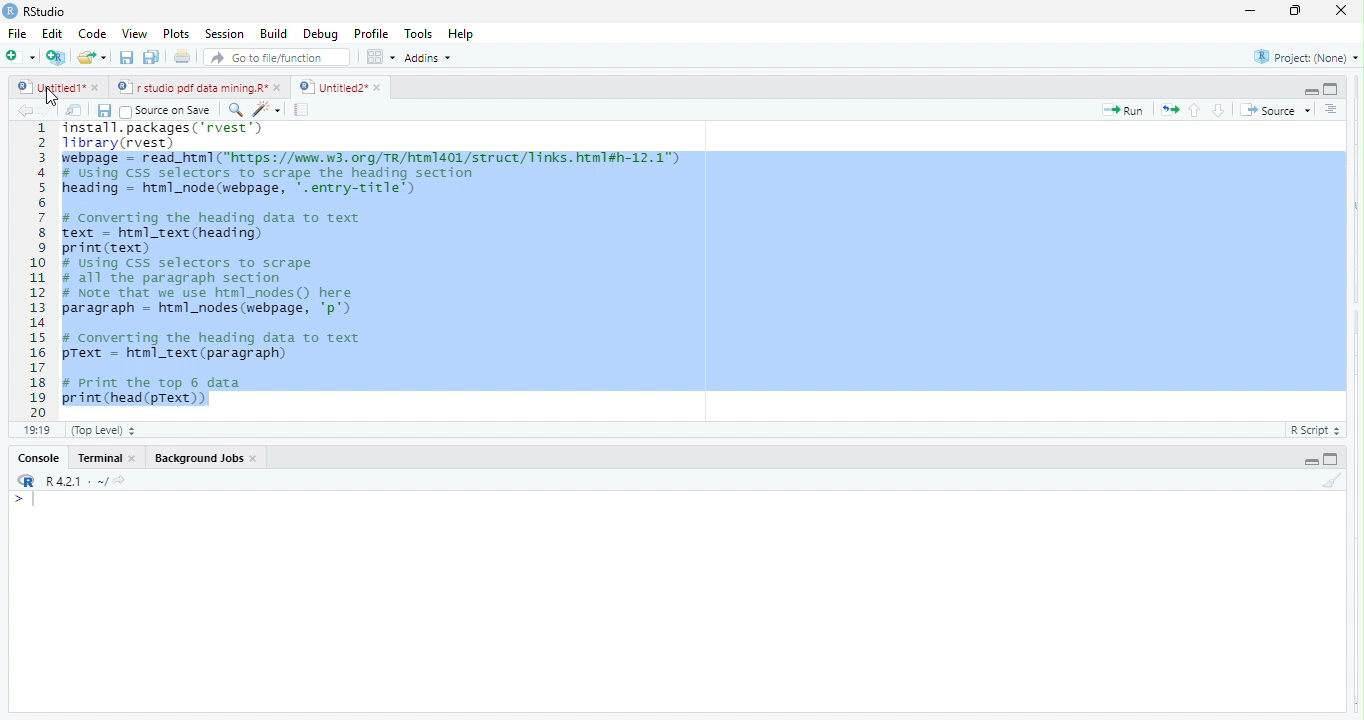 This screenshot has width=1364, height=720. What do you see at coordinates (223, 34) in the screenshot?
I see `‘Session` at bounding box center [223, 34].